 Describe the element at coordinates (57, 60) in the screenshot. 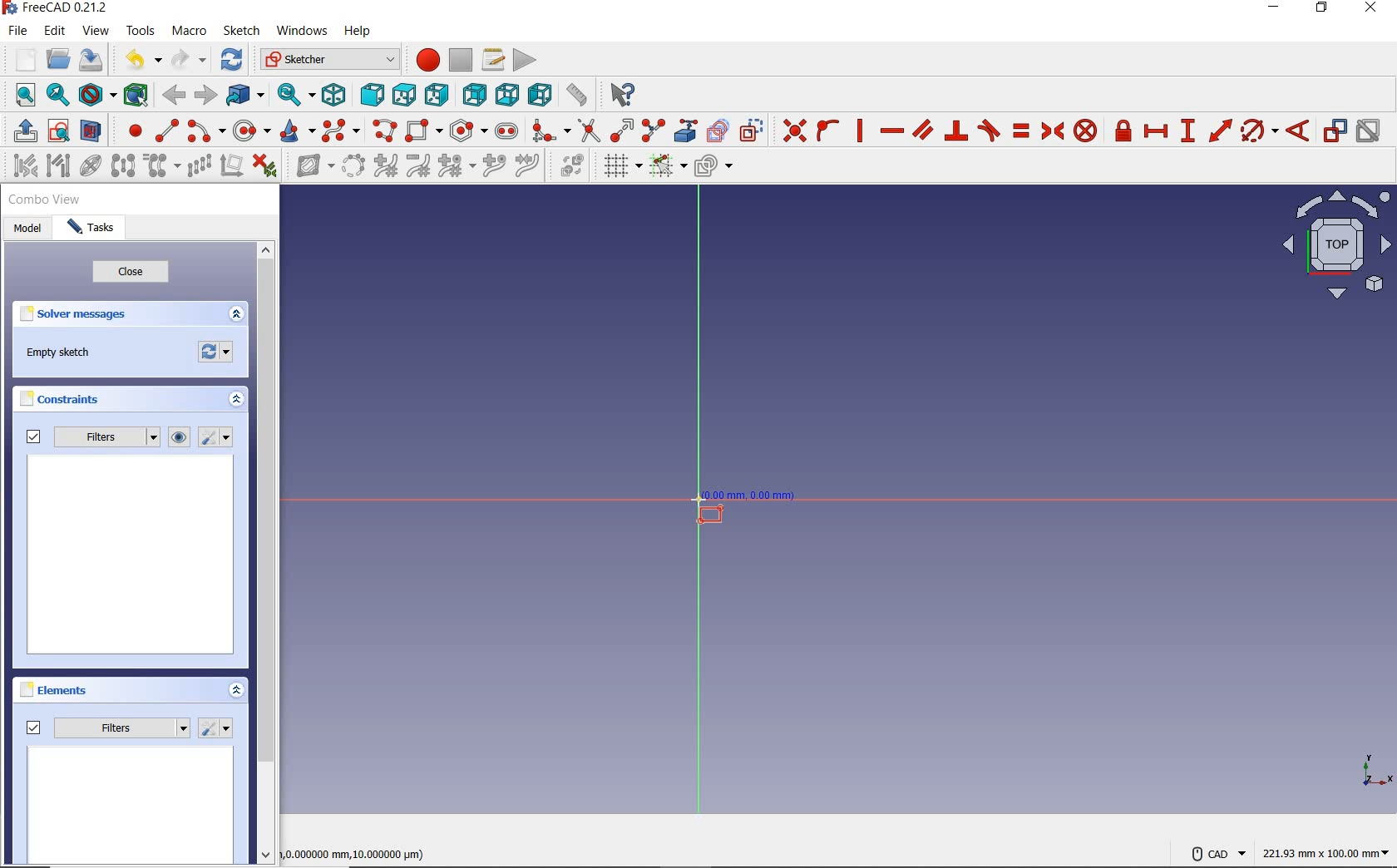

I see `open` at that location.